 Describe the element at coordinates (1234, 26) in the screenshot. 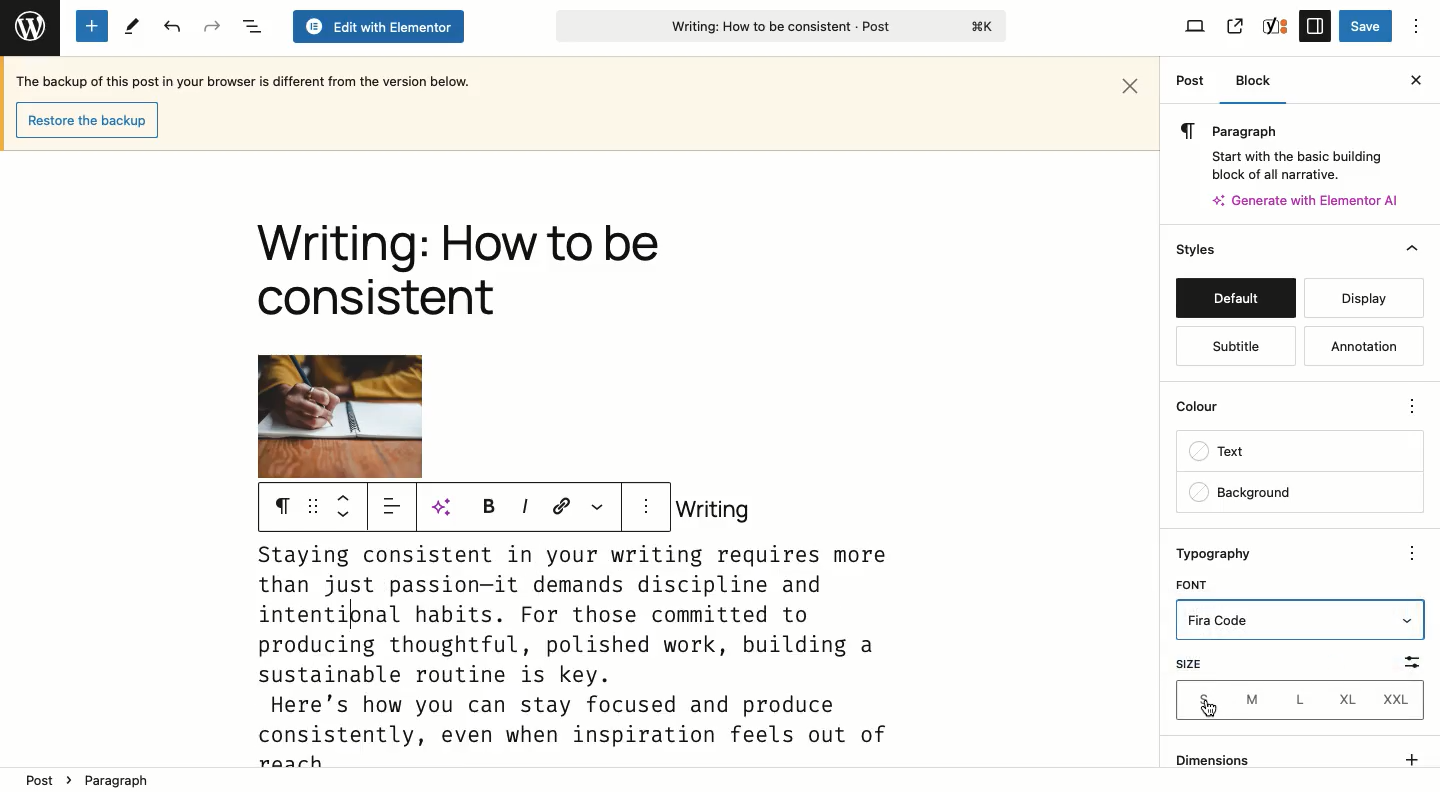

I see `View post` at that location.